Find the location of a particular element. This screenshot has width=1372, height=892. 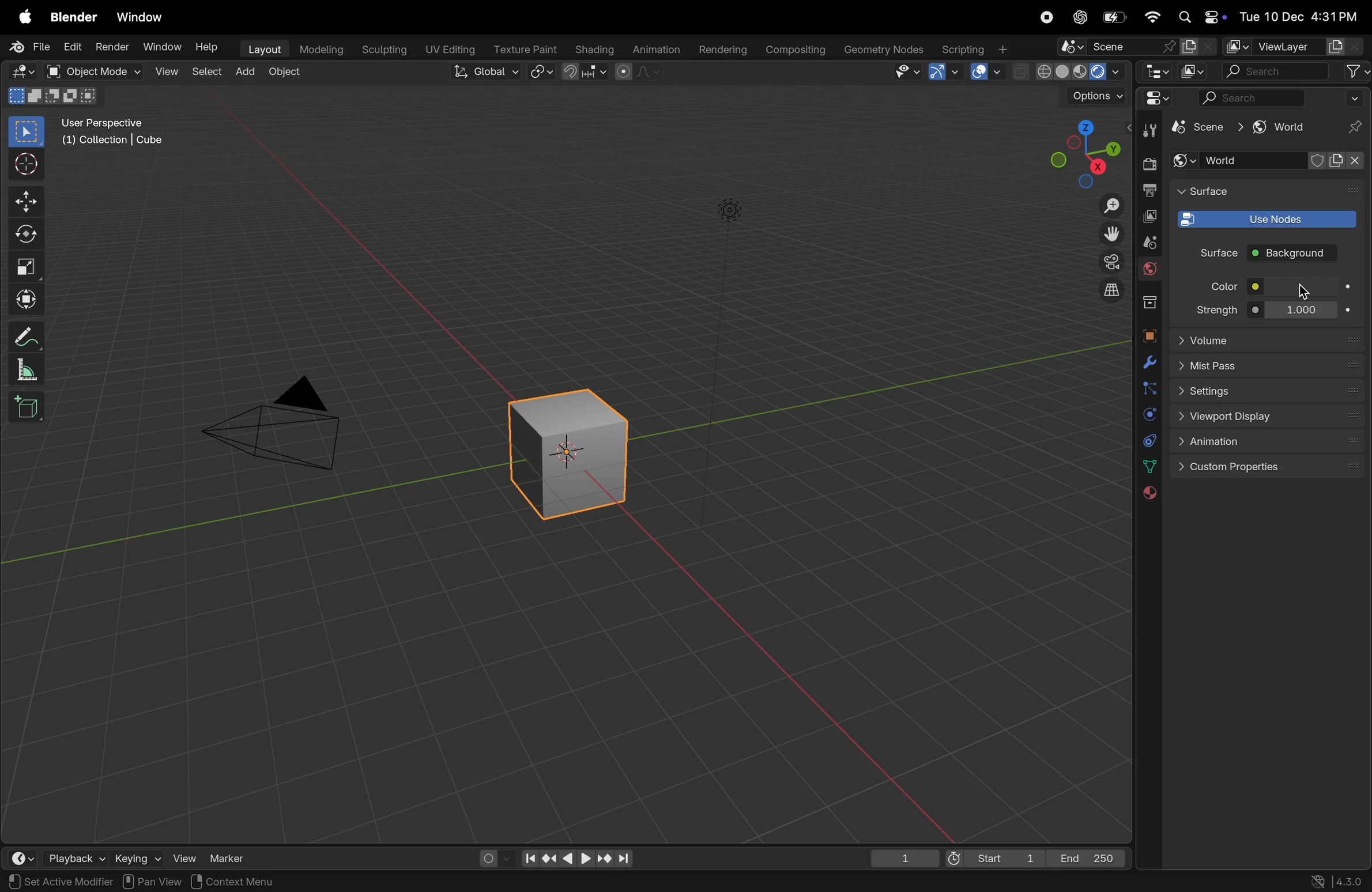

out put is located at coordinates (1148, 216).